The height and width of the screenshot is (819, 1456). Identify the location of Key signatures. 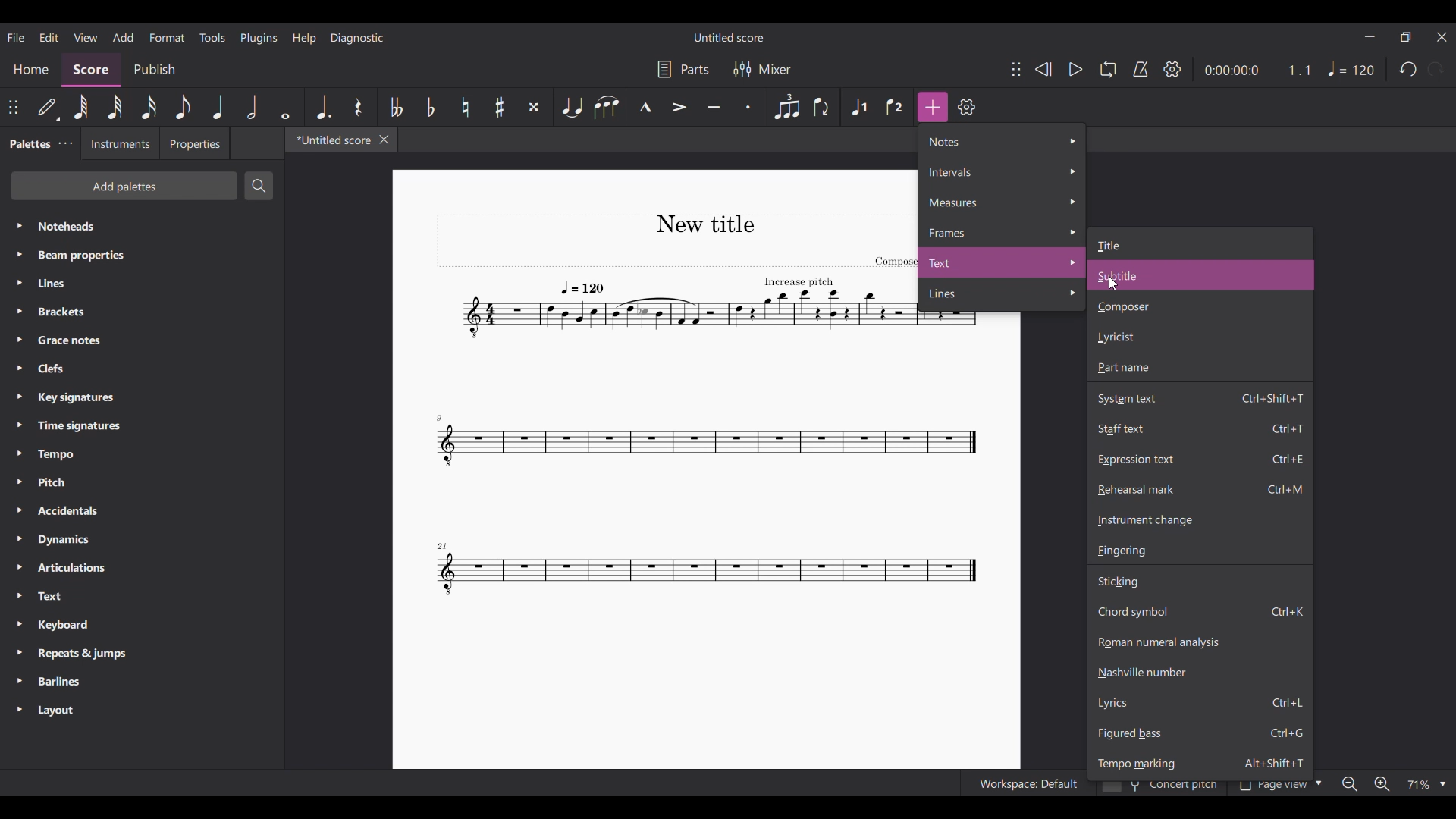
(142, 398).